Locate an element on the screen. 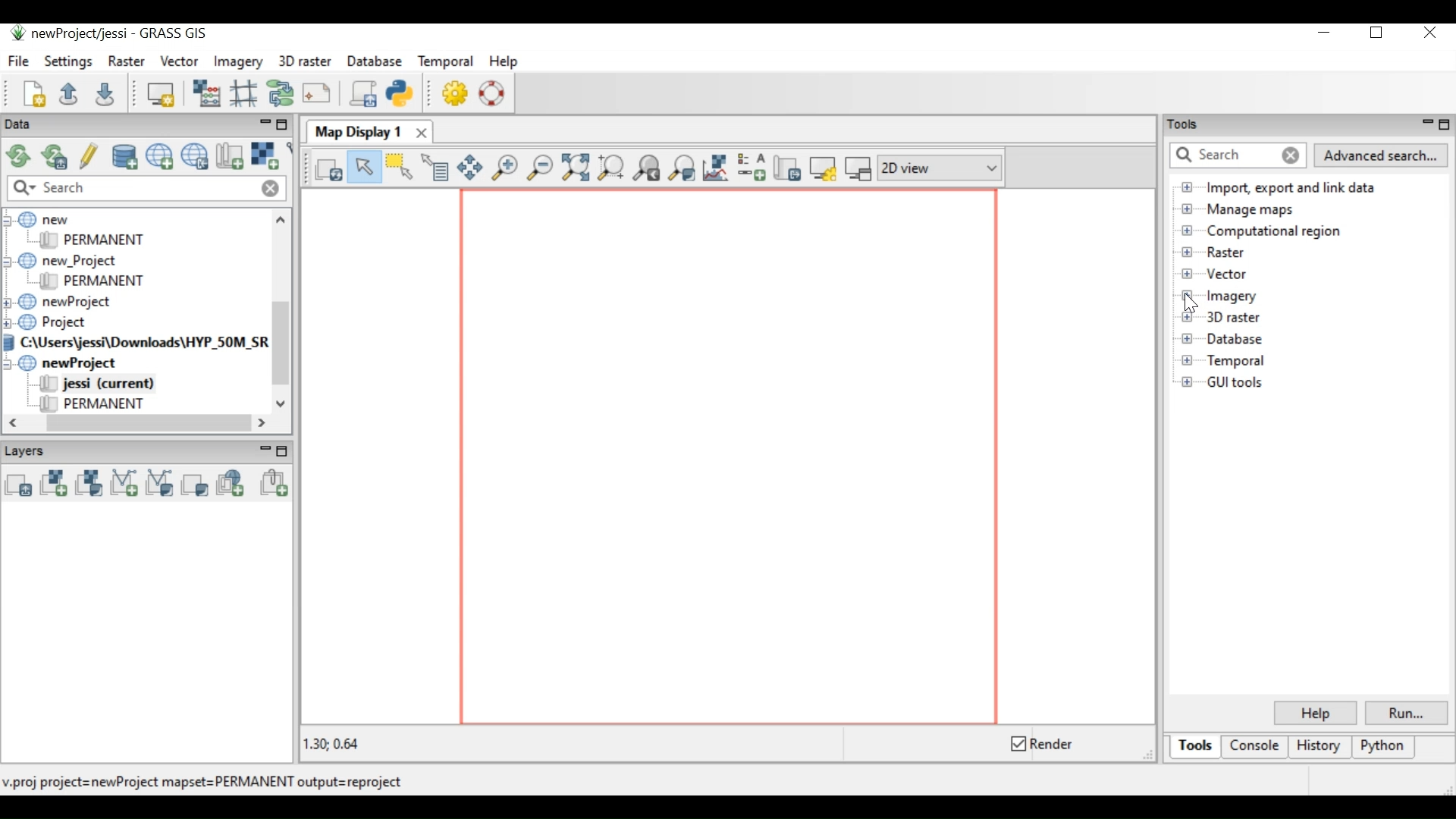  Reload GRASS project is located at coordinates (17, 156).